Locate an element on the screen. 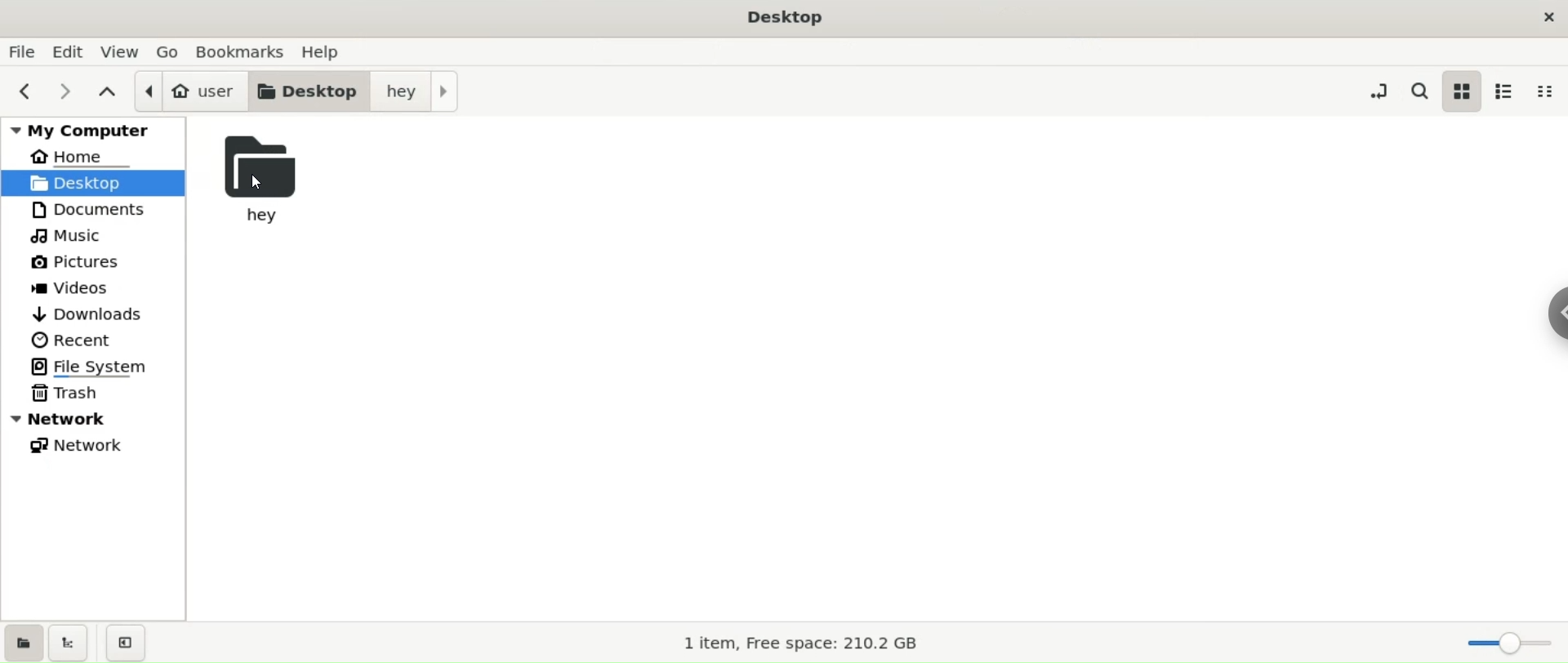 This screenshot has width=1568, height=663. zoom is located at coordinates (1506, 642).